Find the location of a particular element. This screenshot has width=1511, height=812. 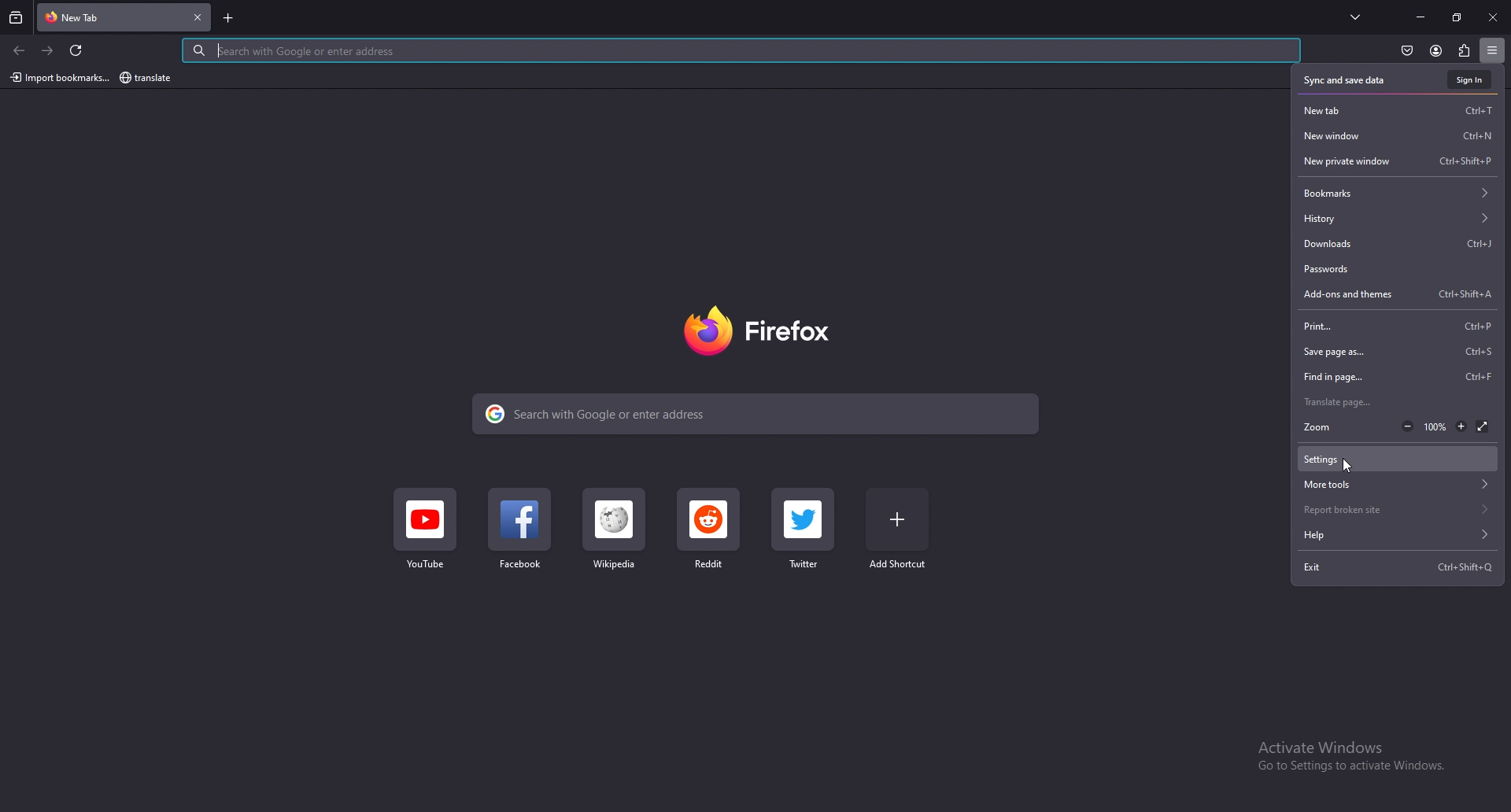

full screen is located at coordinates (1483, 426).